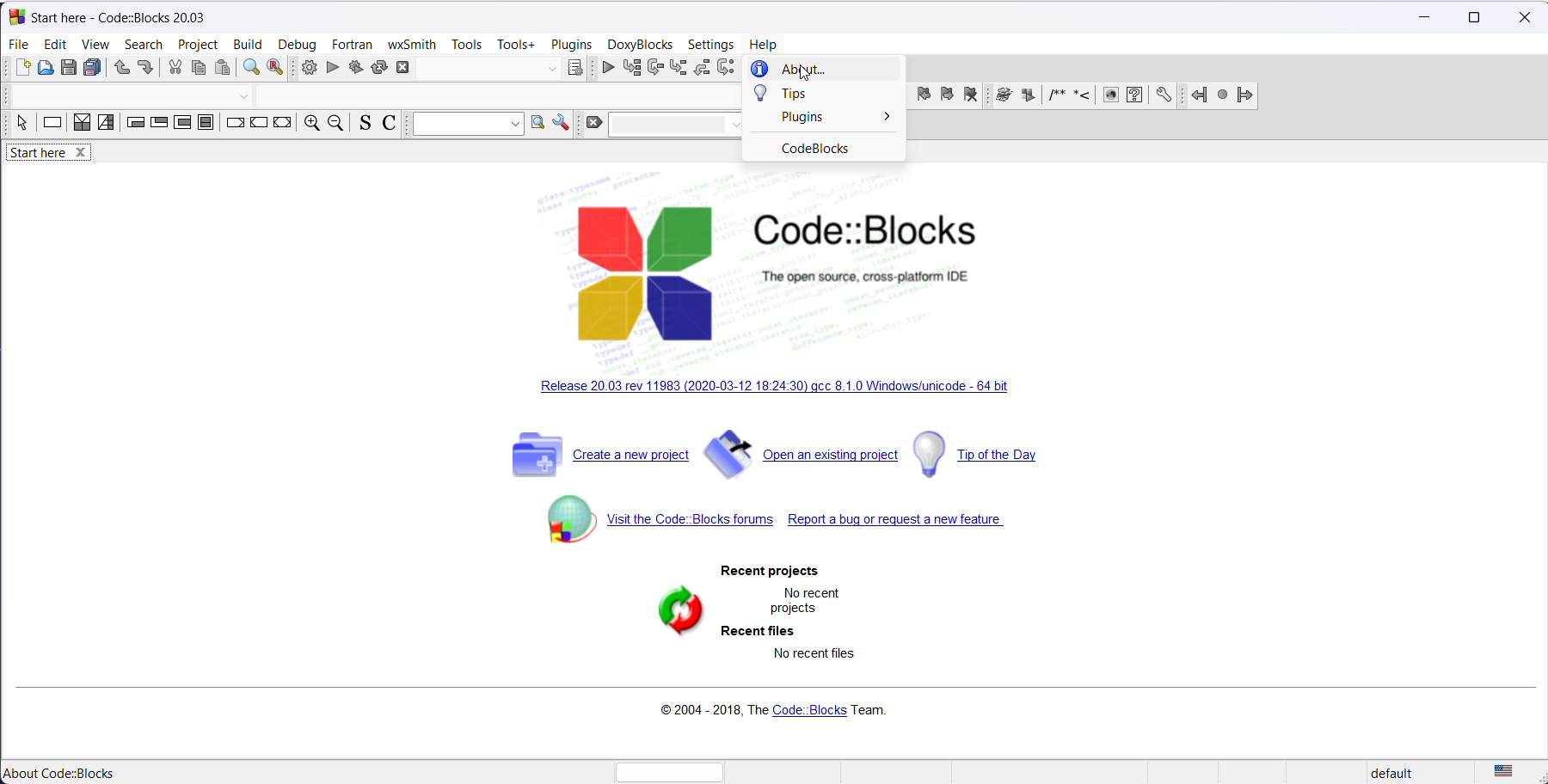 The image size is (1548, 784). Describe the element at coordinates (183, 125) in the screenshot. I see `counting loop` at that location.